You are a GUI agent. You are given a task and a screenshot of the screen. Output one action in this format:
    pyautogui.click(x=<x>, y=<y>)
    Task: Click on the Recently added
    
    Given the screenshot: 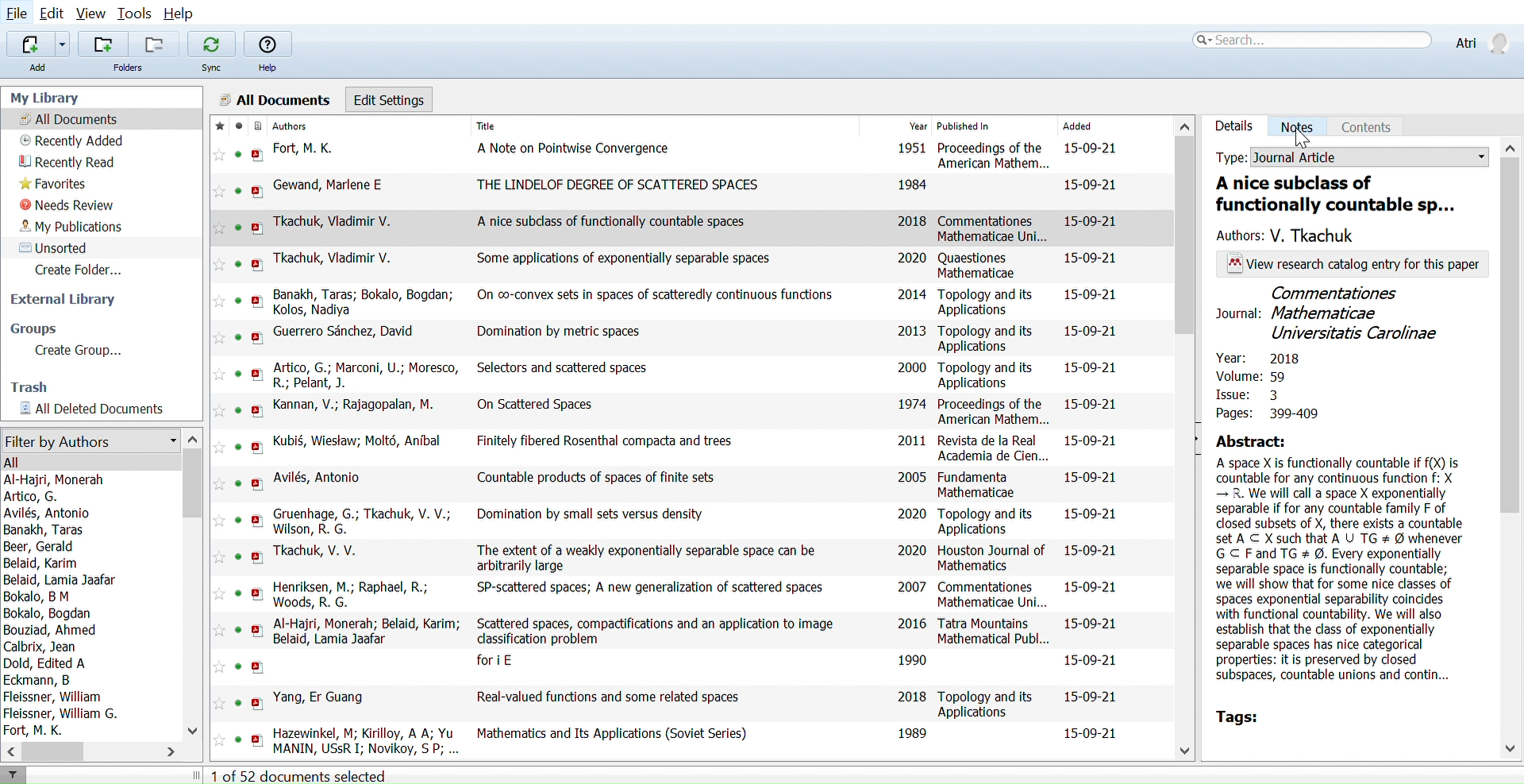 What is the action you would take?
    pyautogui.click(x=71, y=141)
    